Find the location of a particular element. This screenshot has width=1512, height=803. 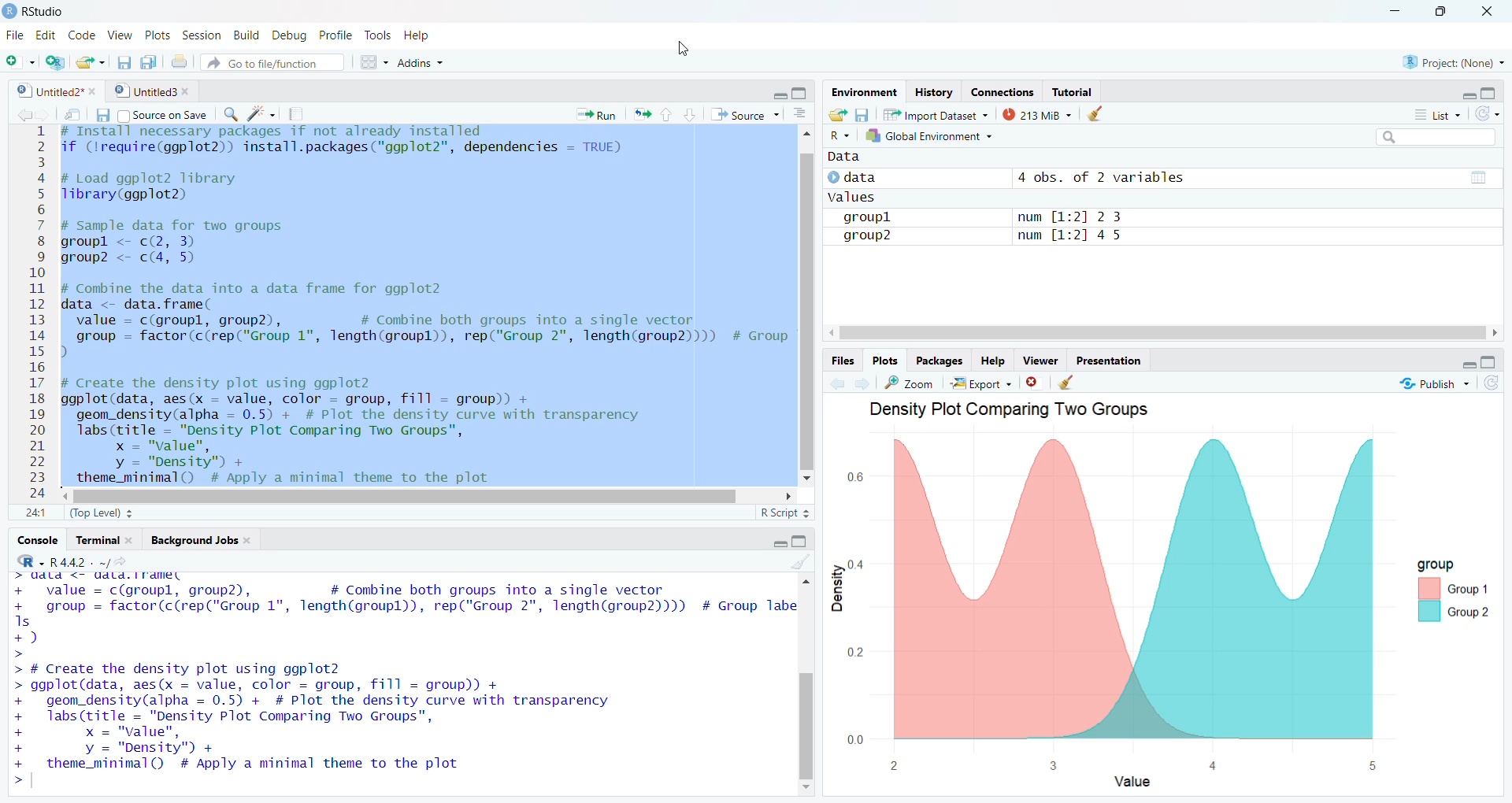

maximize is located at coordinates (803, 96).